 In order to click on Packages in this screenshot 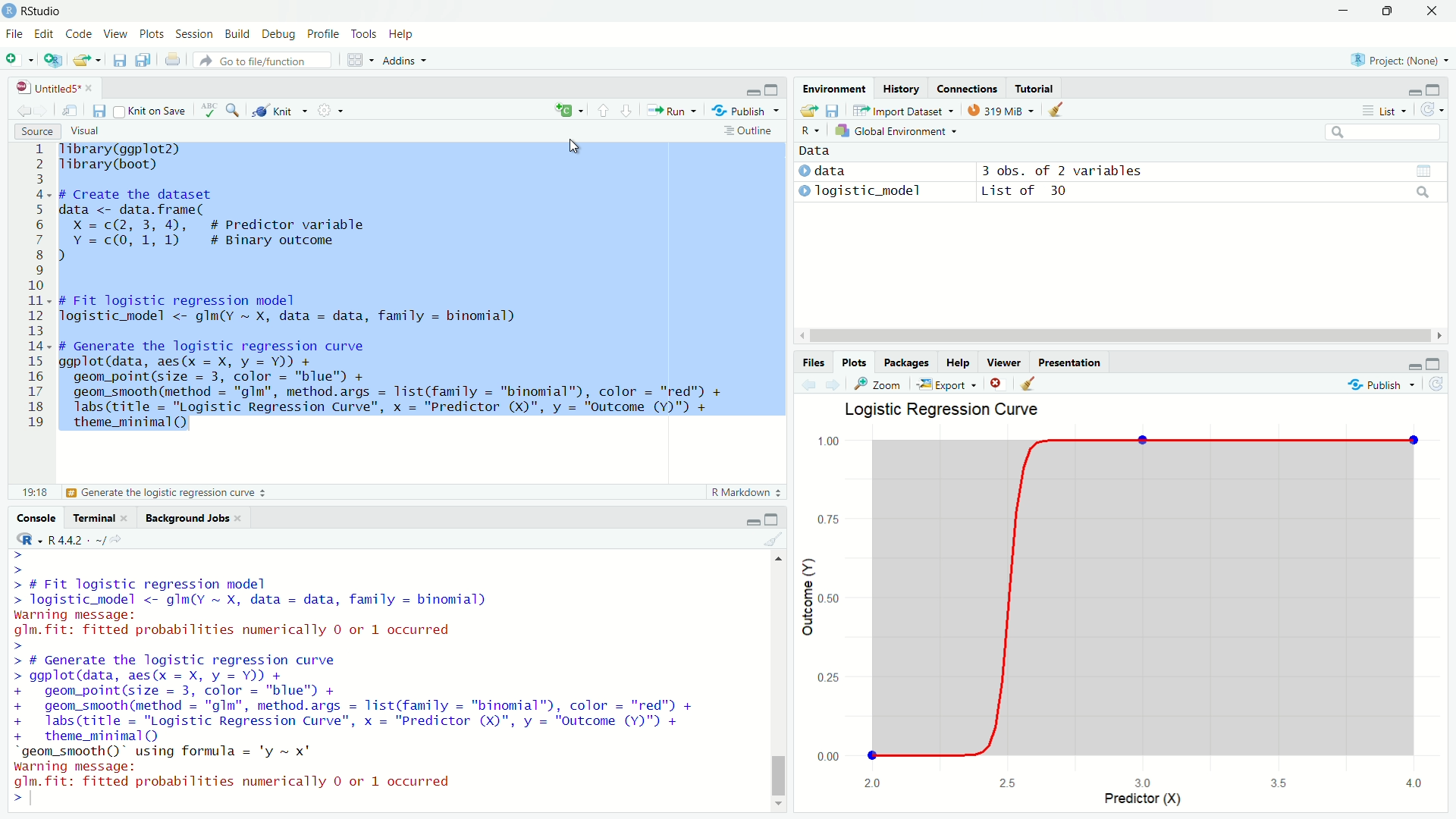, I will do `click(905, 361)`.